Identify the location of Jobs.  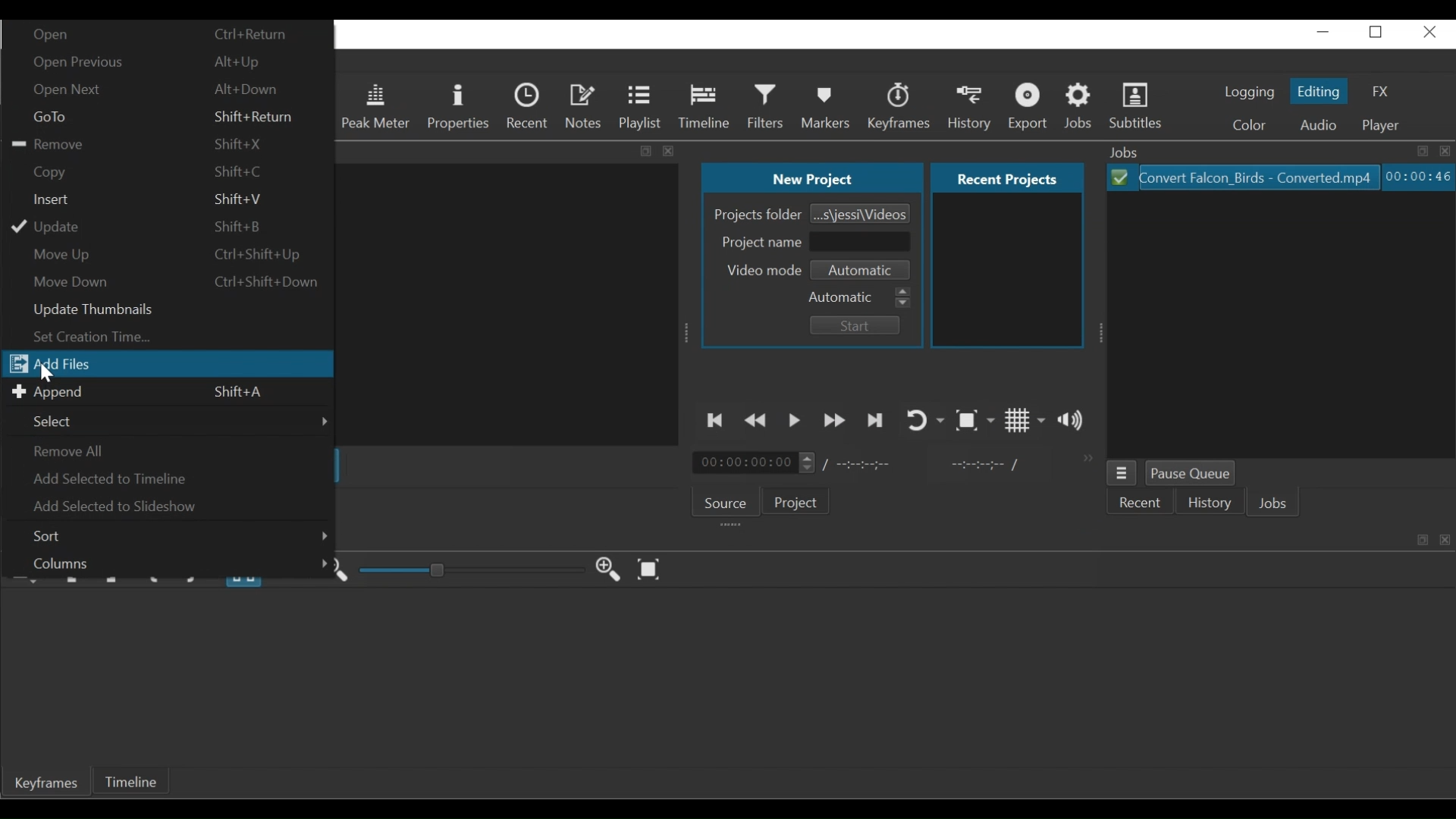
(1275, 502).